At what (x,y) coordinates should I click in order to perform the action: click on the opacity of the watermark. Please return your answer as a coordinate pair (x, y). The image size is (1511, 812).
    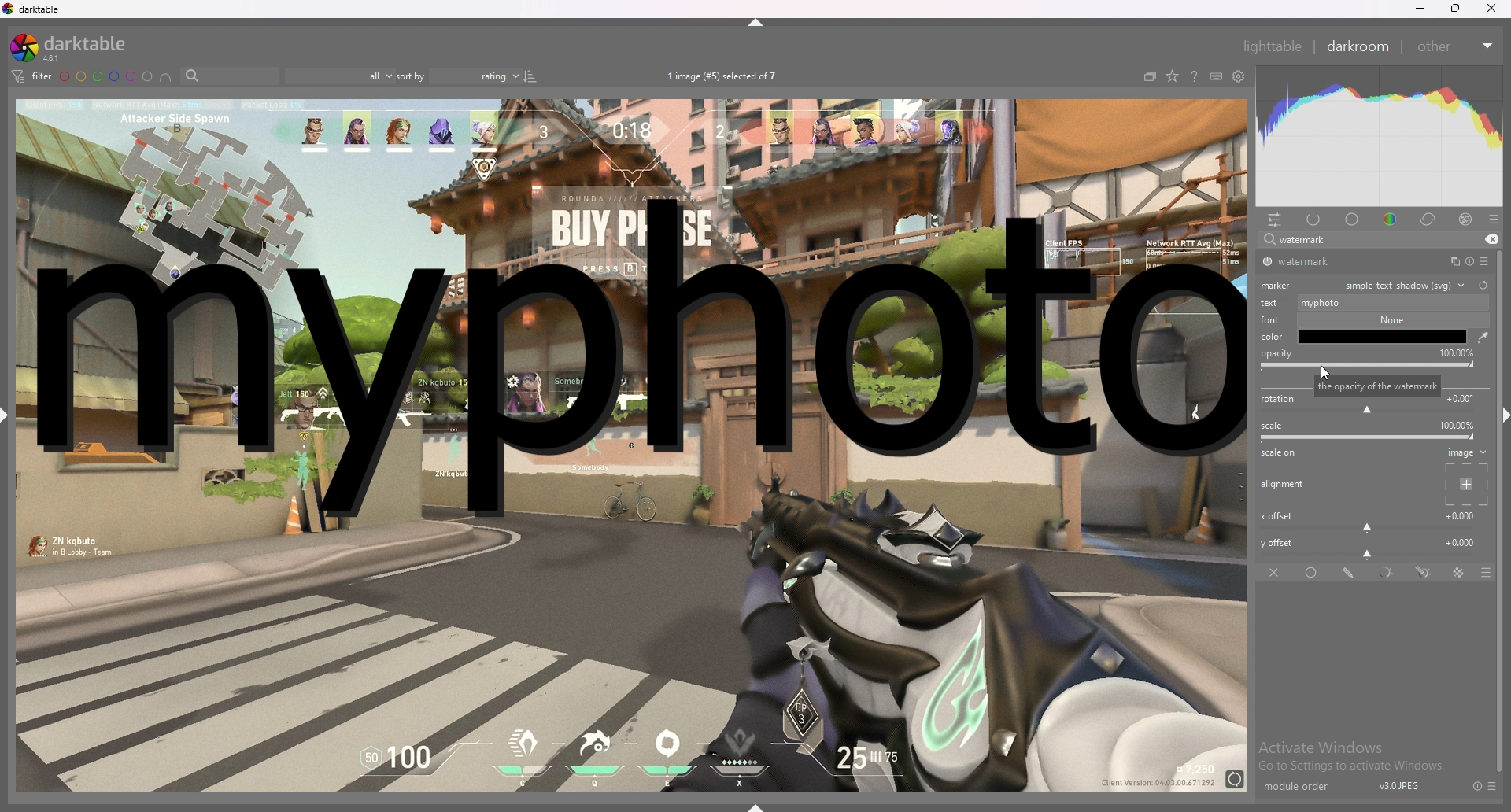
    Looking at the image, I should click on (1384, 384).